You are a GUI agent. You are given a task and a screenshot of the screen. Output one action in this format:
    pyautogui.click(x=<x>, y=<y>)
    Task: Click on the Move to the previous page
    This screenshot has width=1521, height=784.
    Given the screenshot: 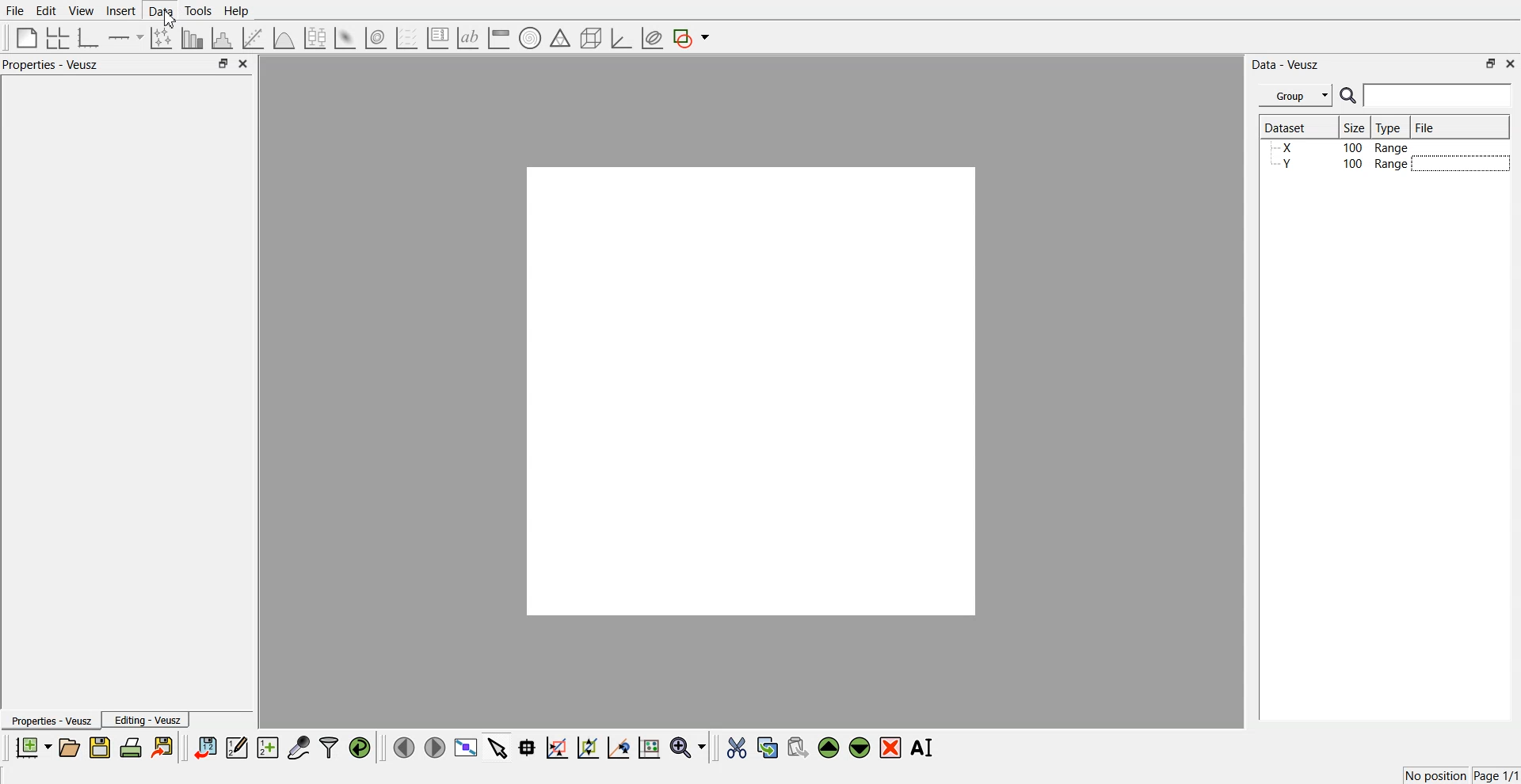 What is the action you would take?
    pyautogui.click(x=404, y=747)
    